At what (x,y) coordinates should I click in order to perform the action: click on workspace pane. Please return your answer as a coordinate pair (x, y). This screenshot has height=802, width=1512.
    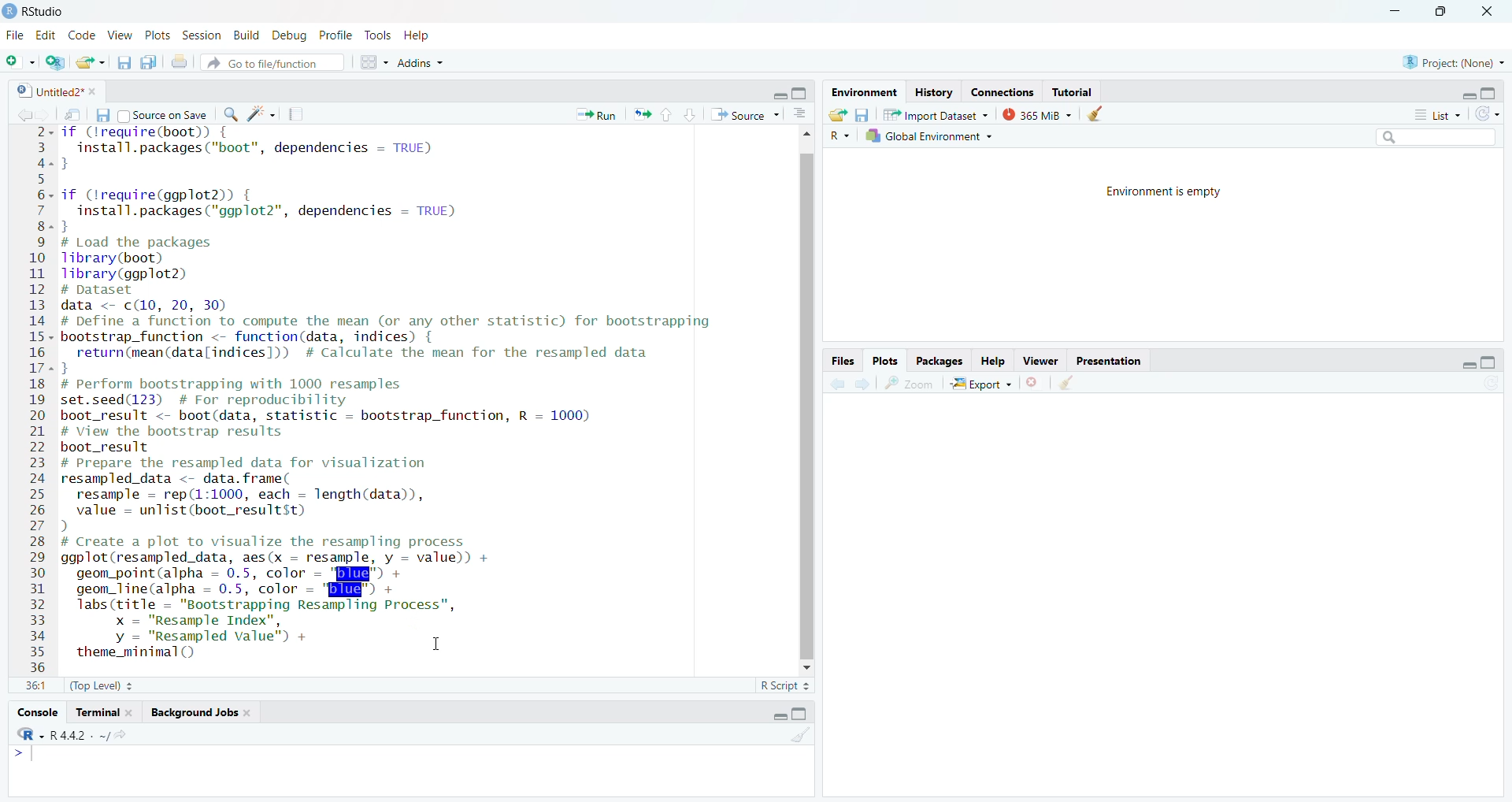
    Looking at the image, I should click on (375, 60).